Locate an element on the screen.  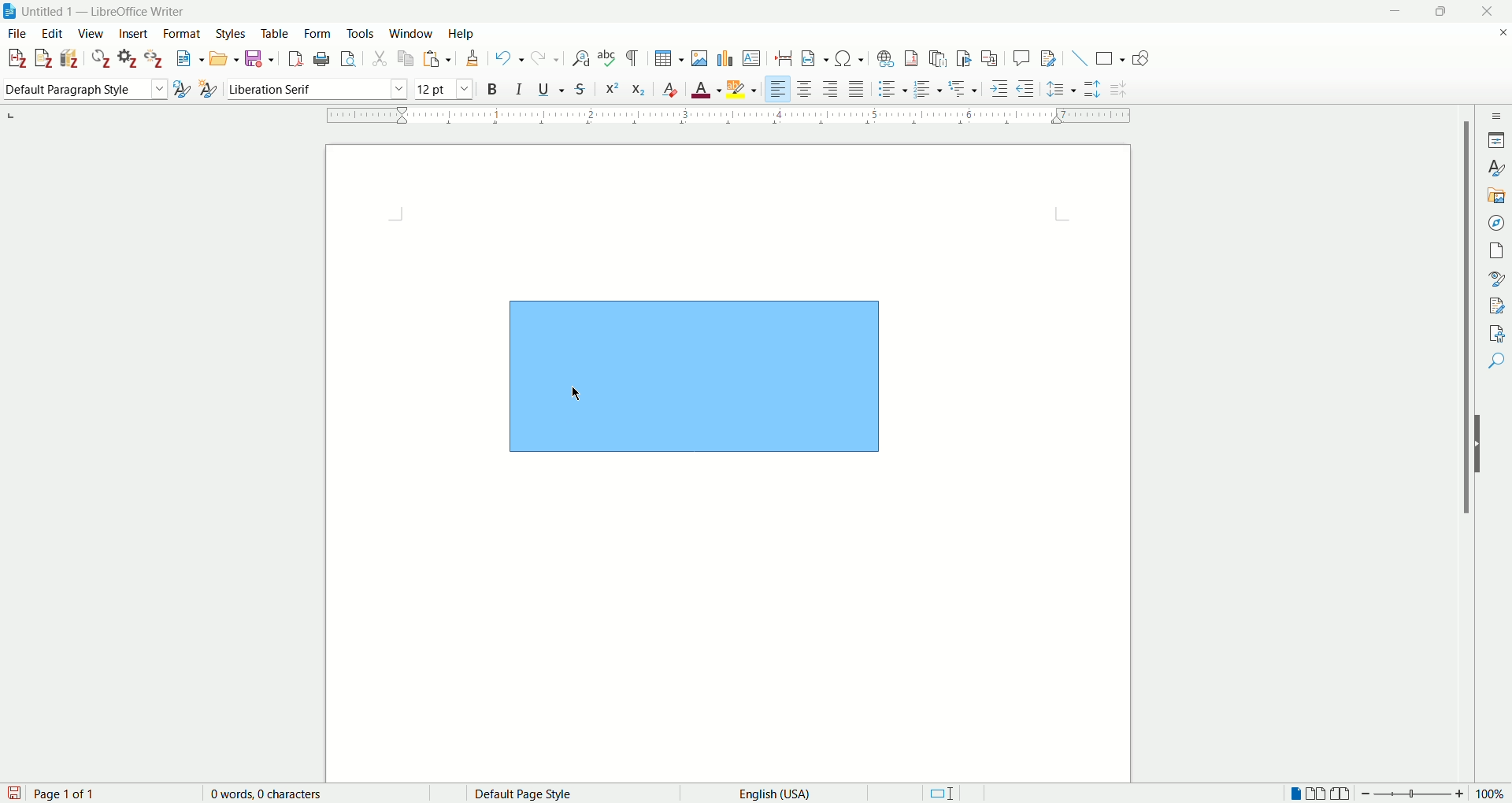
basic shapes is located at coordinates (1110, 58).